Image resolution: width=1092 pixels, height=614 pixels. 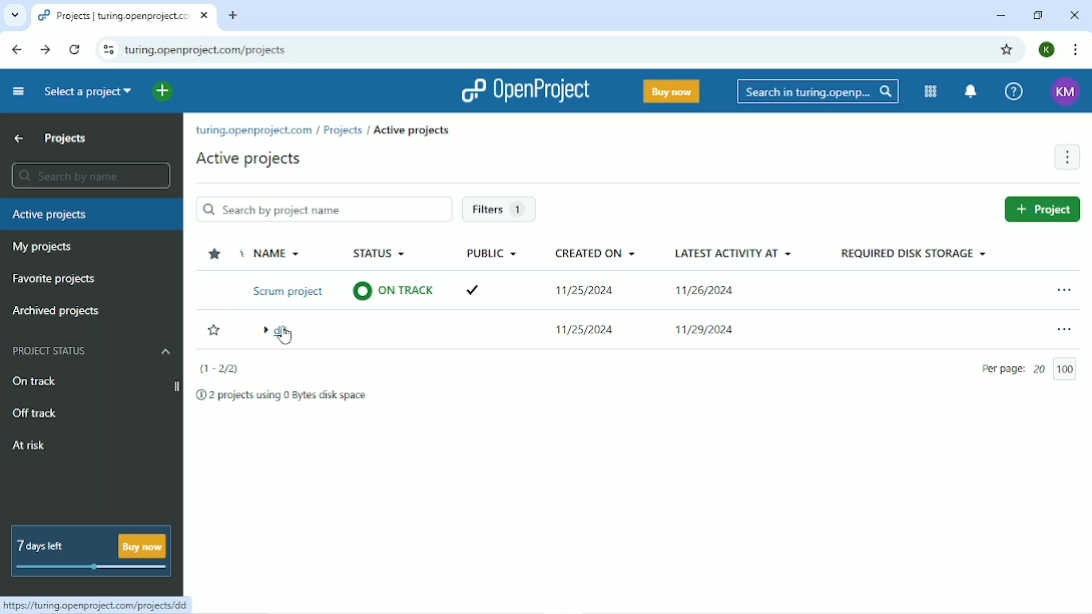 What do you see at coordinates (472, 289) in the screenshot?
I see `Tick` at bounding box center [472, 289].